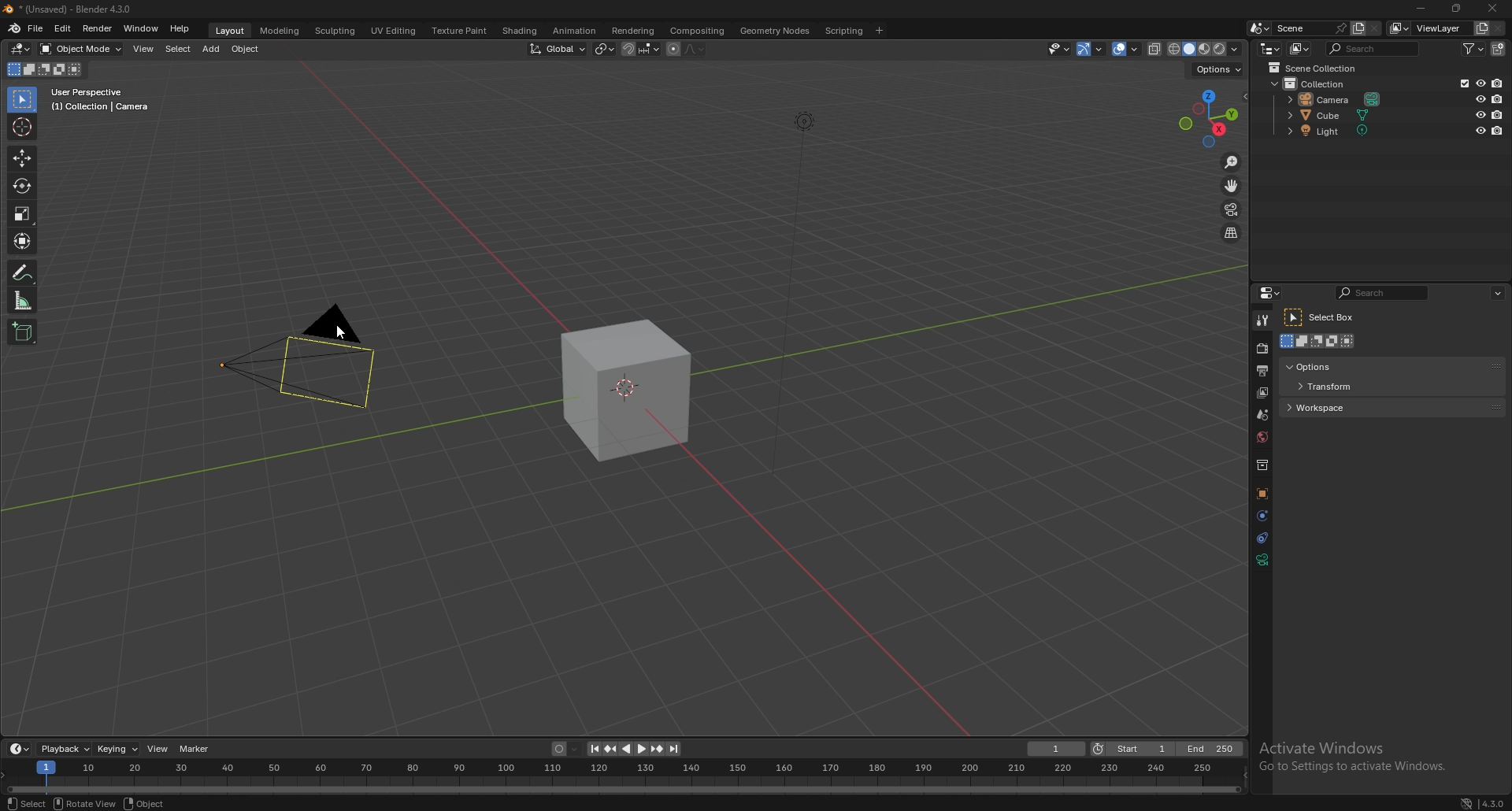  Describe the element at coordinates (280, 31) in the screenshot. I see `modeling` at that location.